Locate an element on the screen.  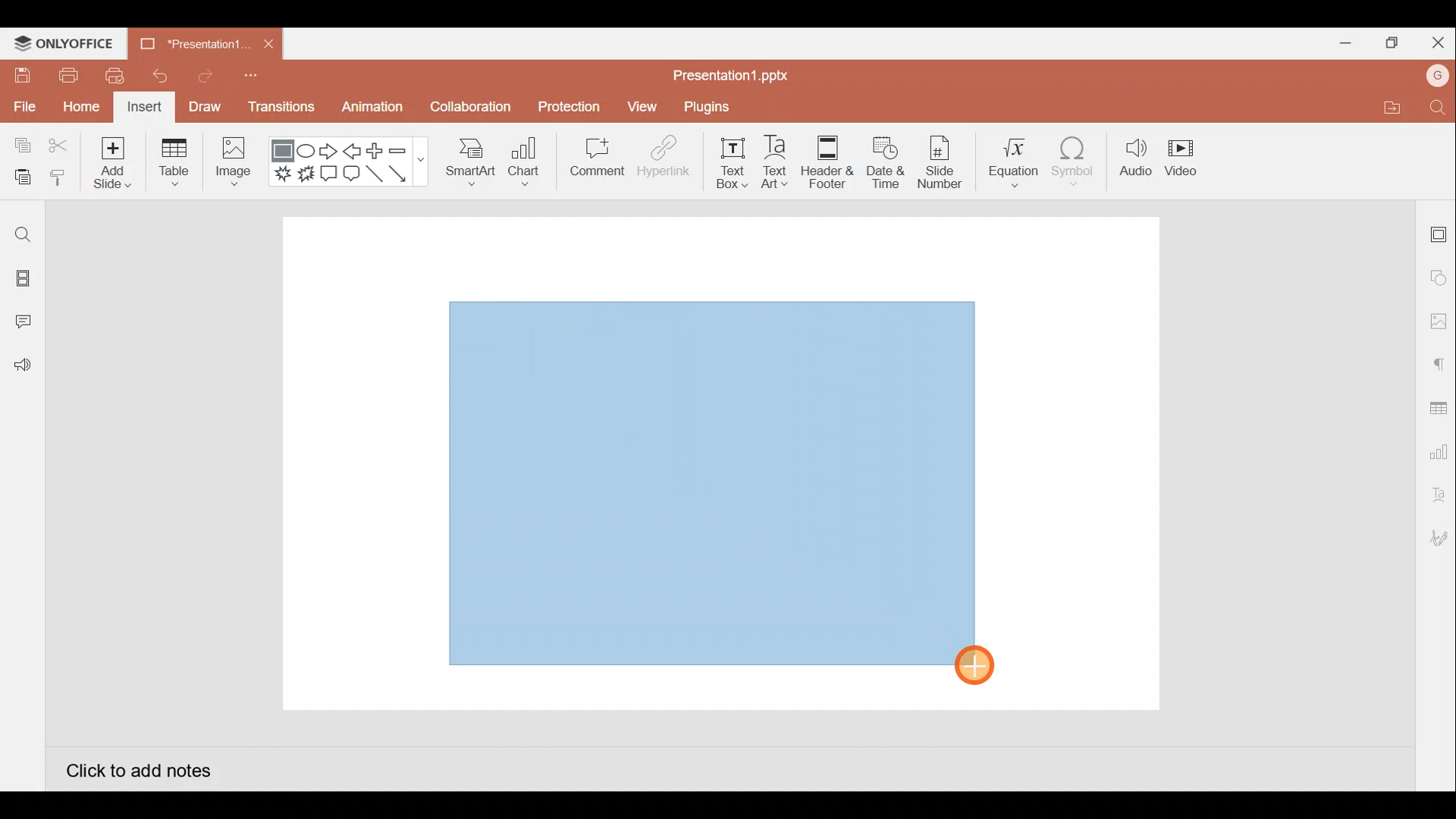
Add slide is located at coordinates (110, 159).